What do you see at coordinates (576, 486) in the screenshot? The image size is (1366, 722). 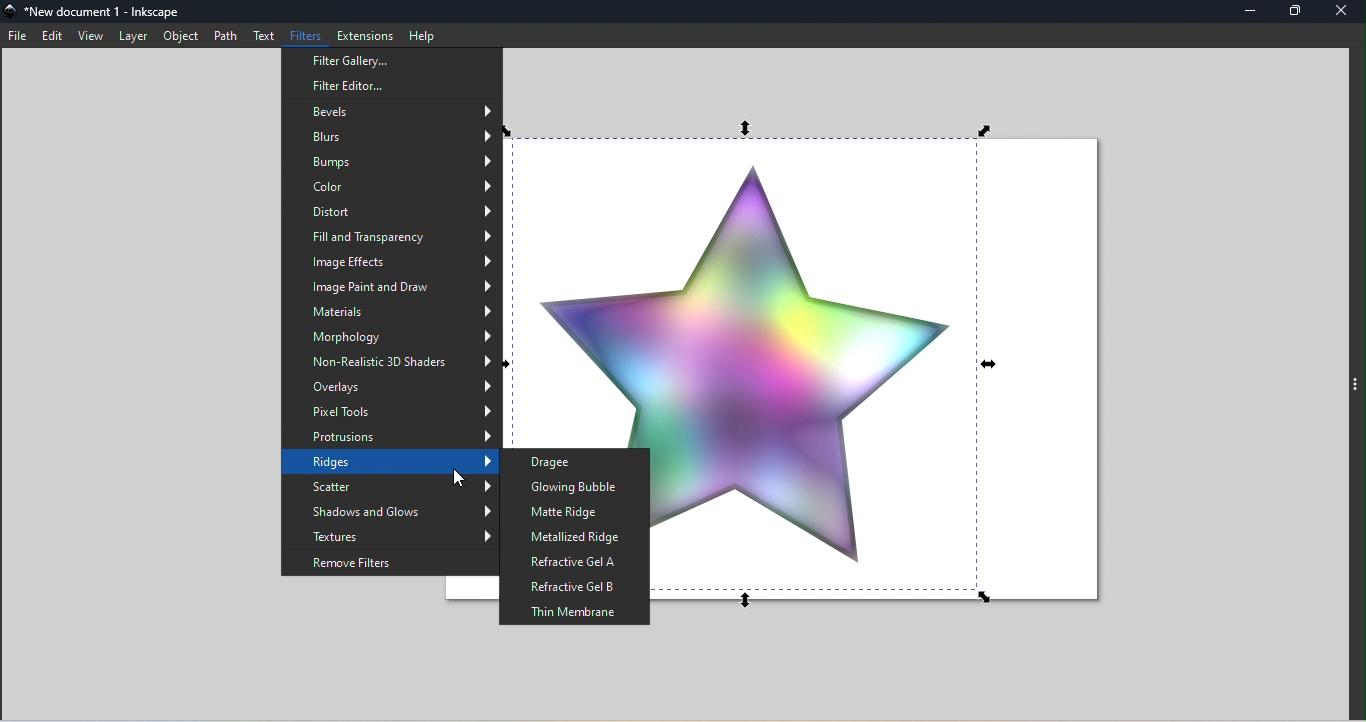 I see `Glowing` at bounding box center [576, 486].